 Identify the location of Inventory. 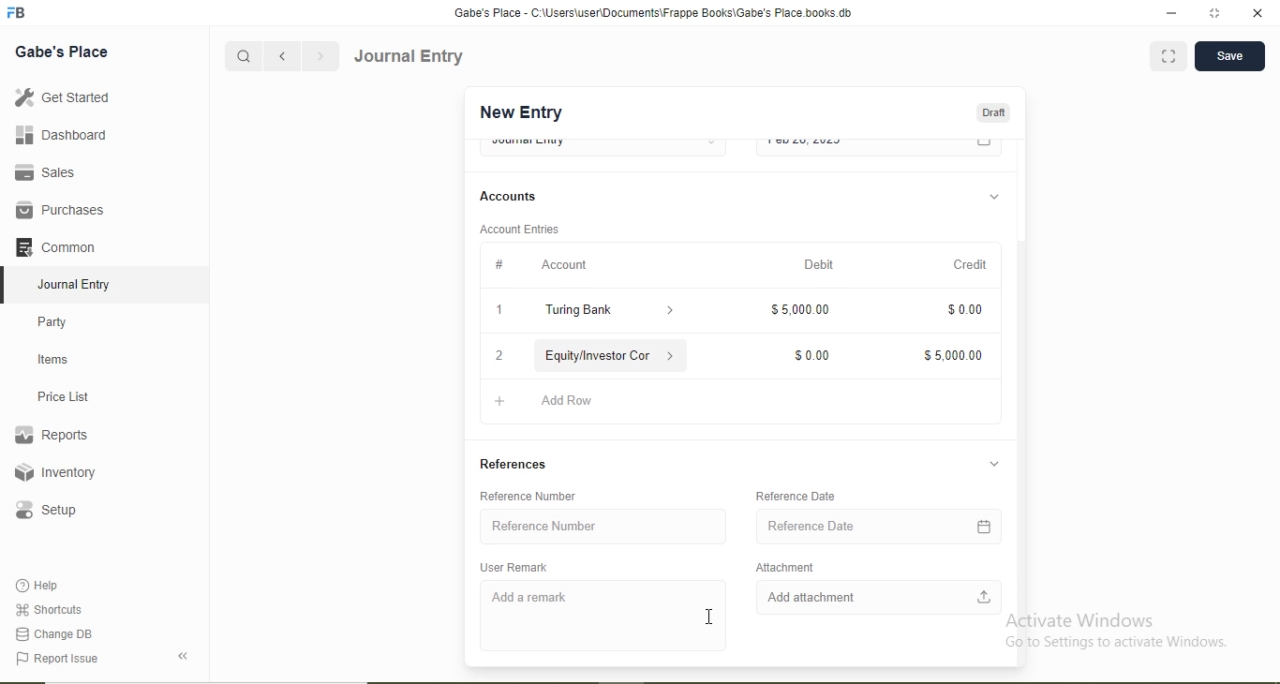
(56, 472).